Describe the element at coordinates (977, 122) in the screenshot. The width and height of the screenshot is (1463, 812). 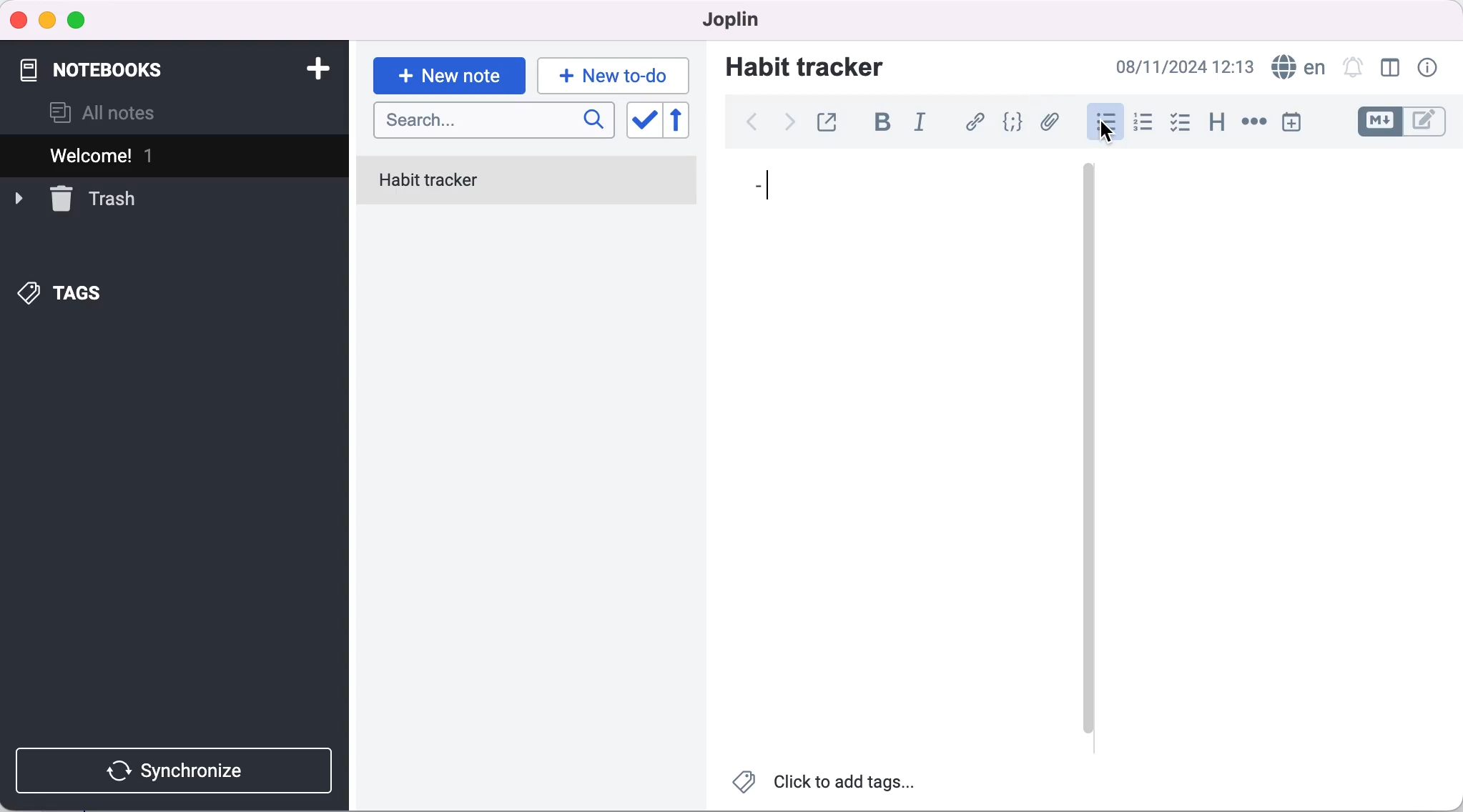
I see `hyperlink` at that location.